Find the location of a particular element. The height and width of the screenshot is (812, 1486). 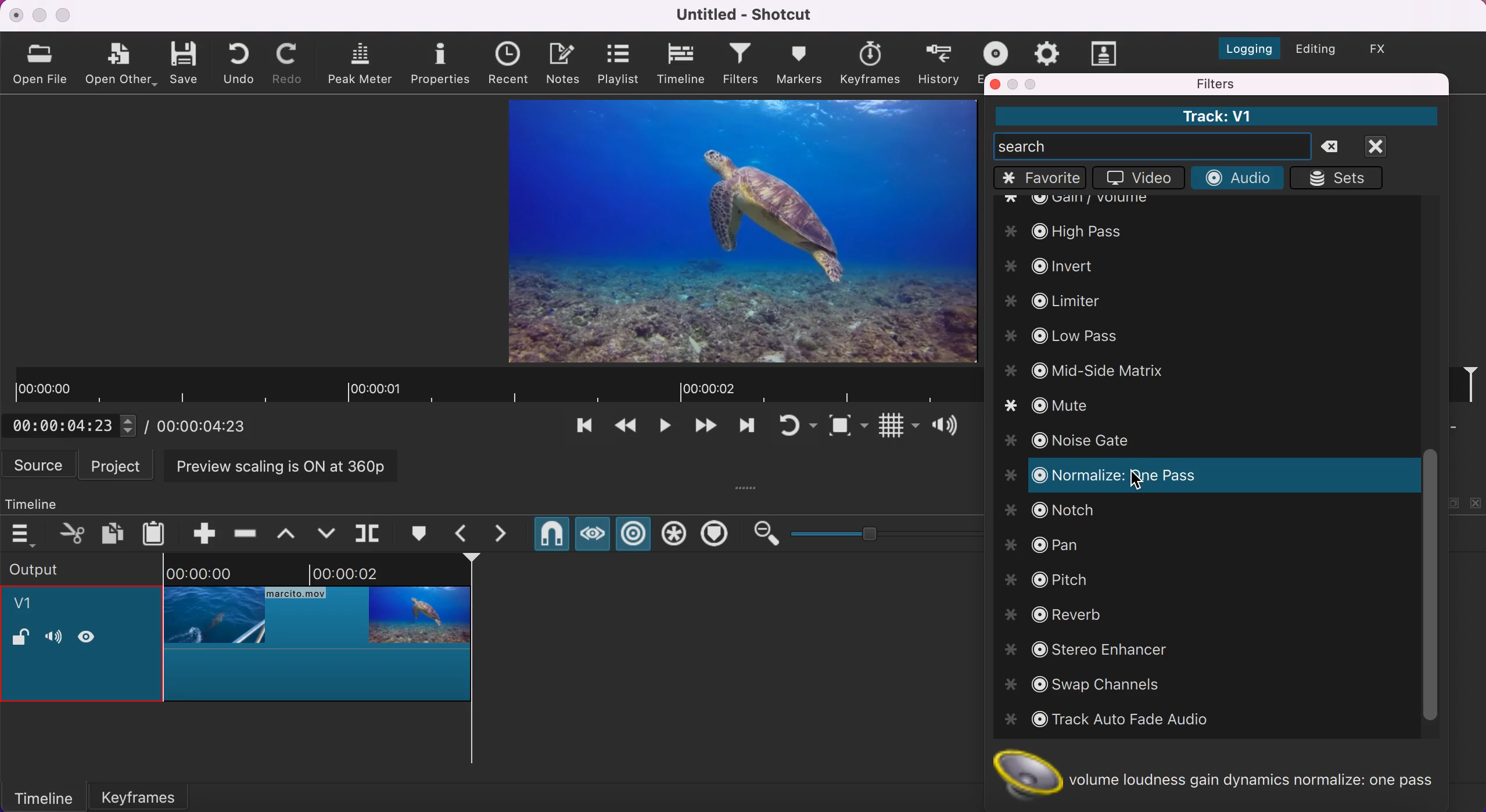

ripple delete is located at coordinates (246, 530).